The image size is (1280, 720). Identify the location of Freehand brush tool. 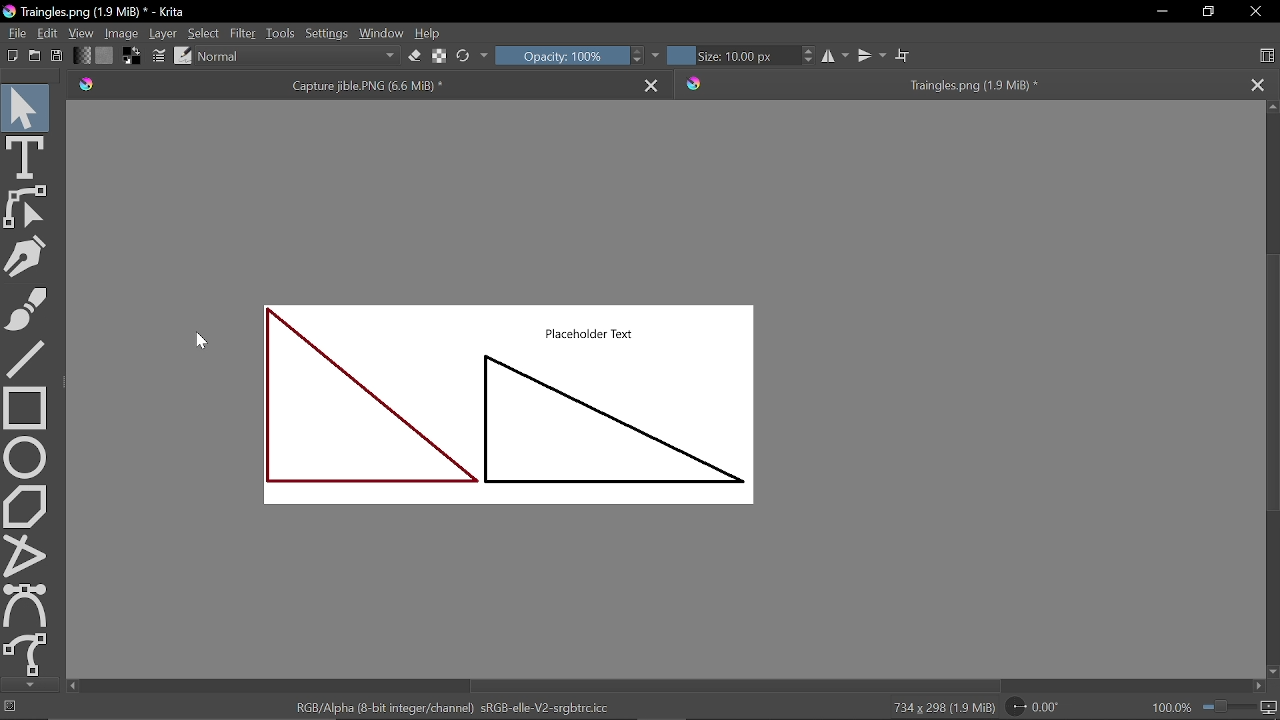
(28, 311).